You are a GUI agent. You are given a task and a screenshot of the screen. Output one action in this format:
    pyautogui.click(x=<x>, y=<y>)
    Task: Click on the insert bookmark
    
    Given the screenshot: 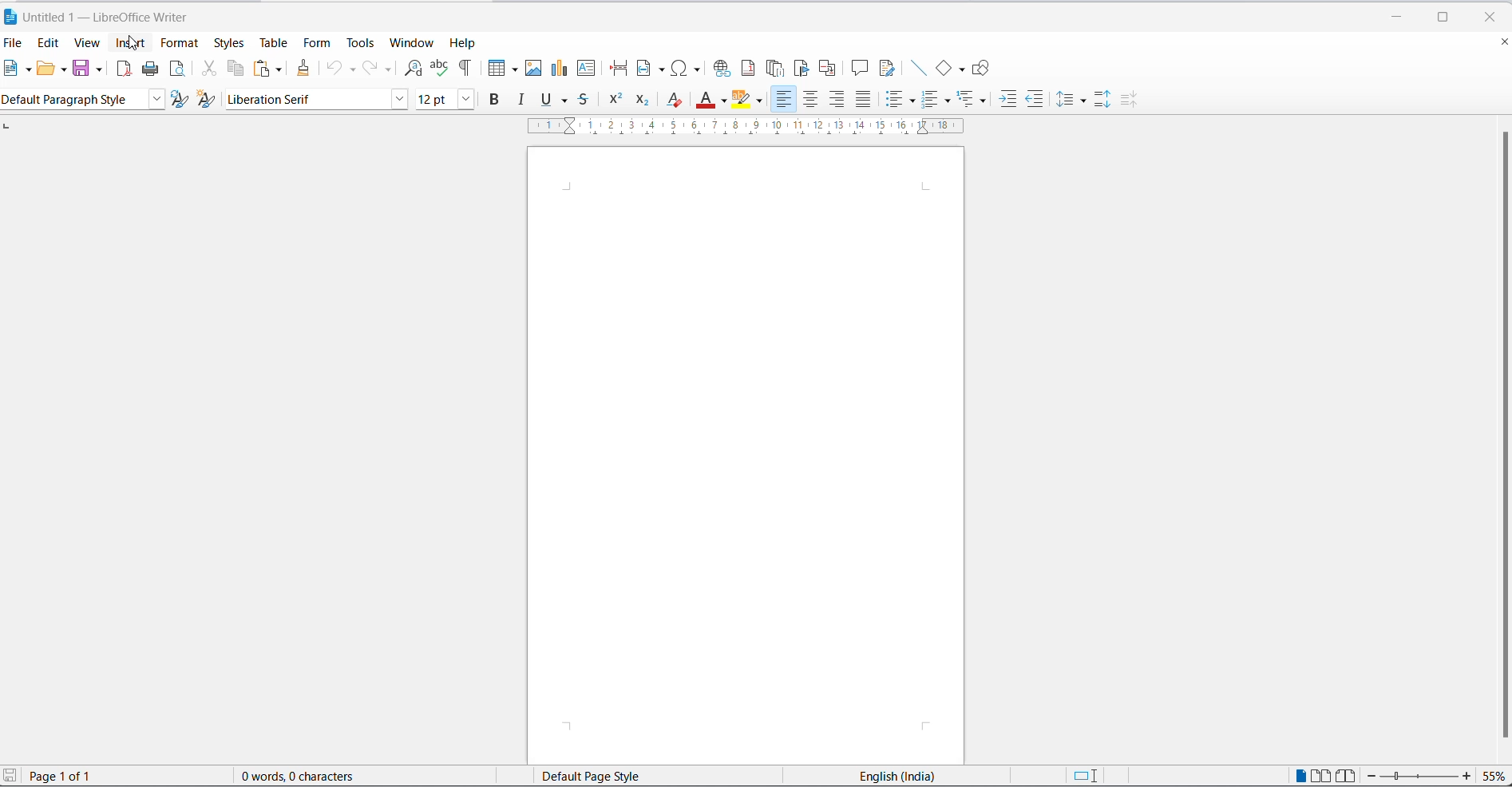 What is the action you would take?
    pyautogui.click(x=802, y=69)
    